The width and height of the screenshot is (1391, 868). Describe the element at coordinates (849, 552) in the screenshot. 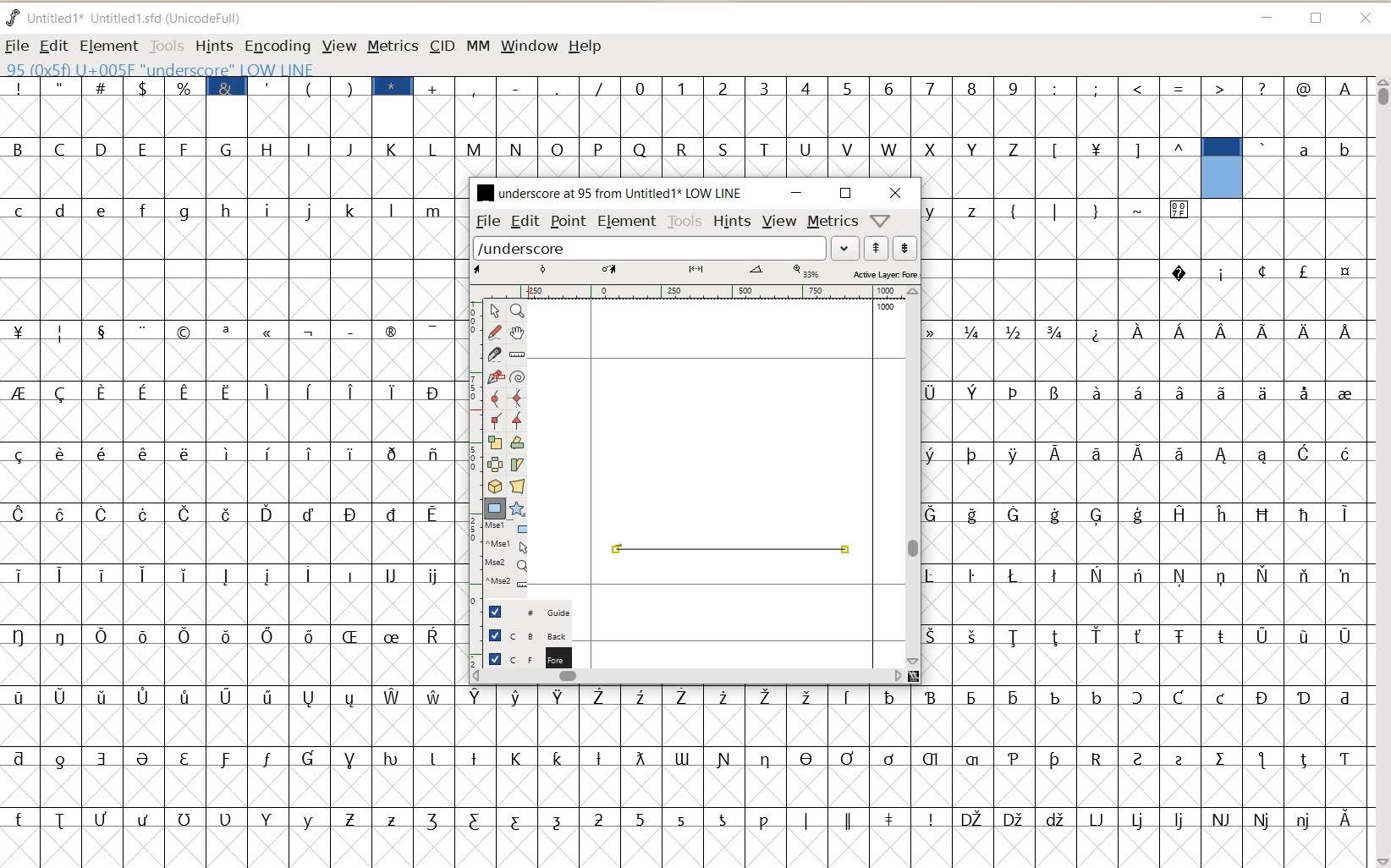

I see `ELLIPSE TOOL/CURSOR POSITION` at that location.